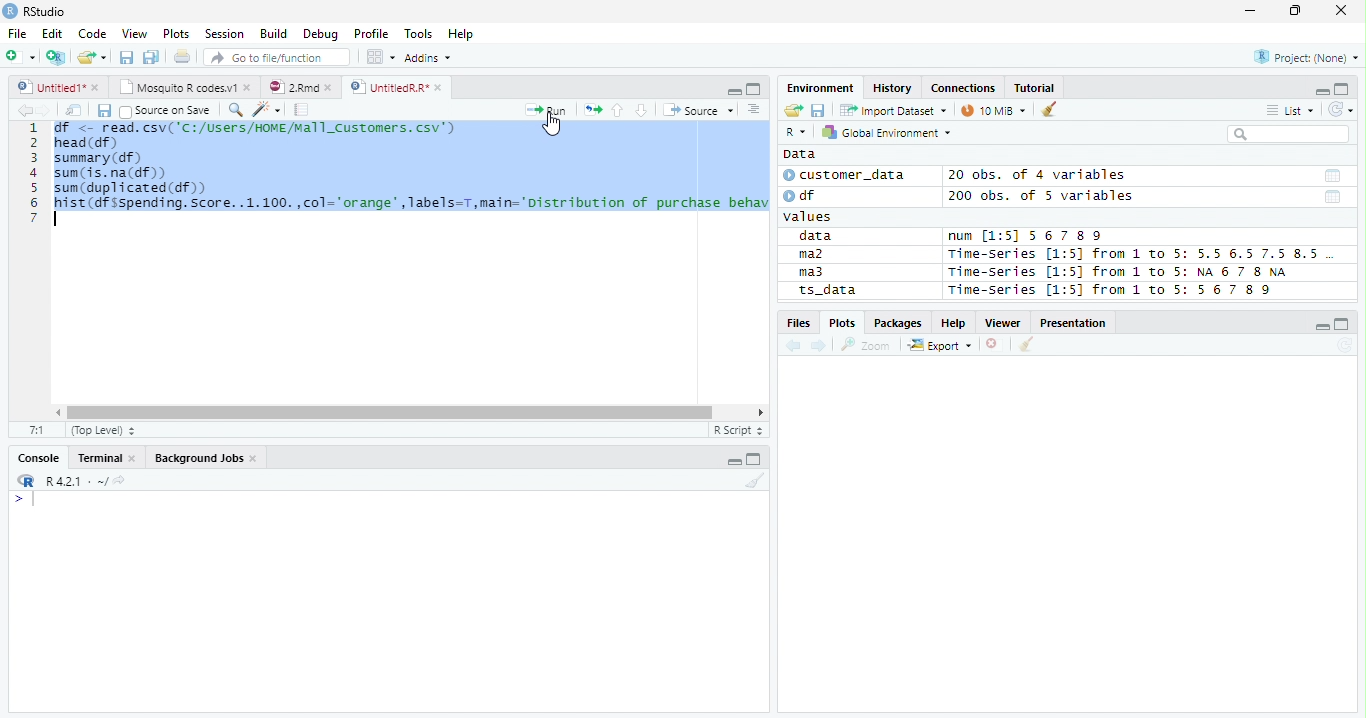 The image size is (1366, 718). What do you see at coordinates (181, 57) in the screenshot?
I see `Print` at bounding box center [181, 57].